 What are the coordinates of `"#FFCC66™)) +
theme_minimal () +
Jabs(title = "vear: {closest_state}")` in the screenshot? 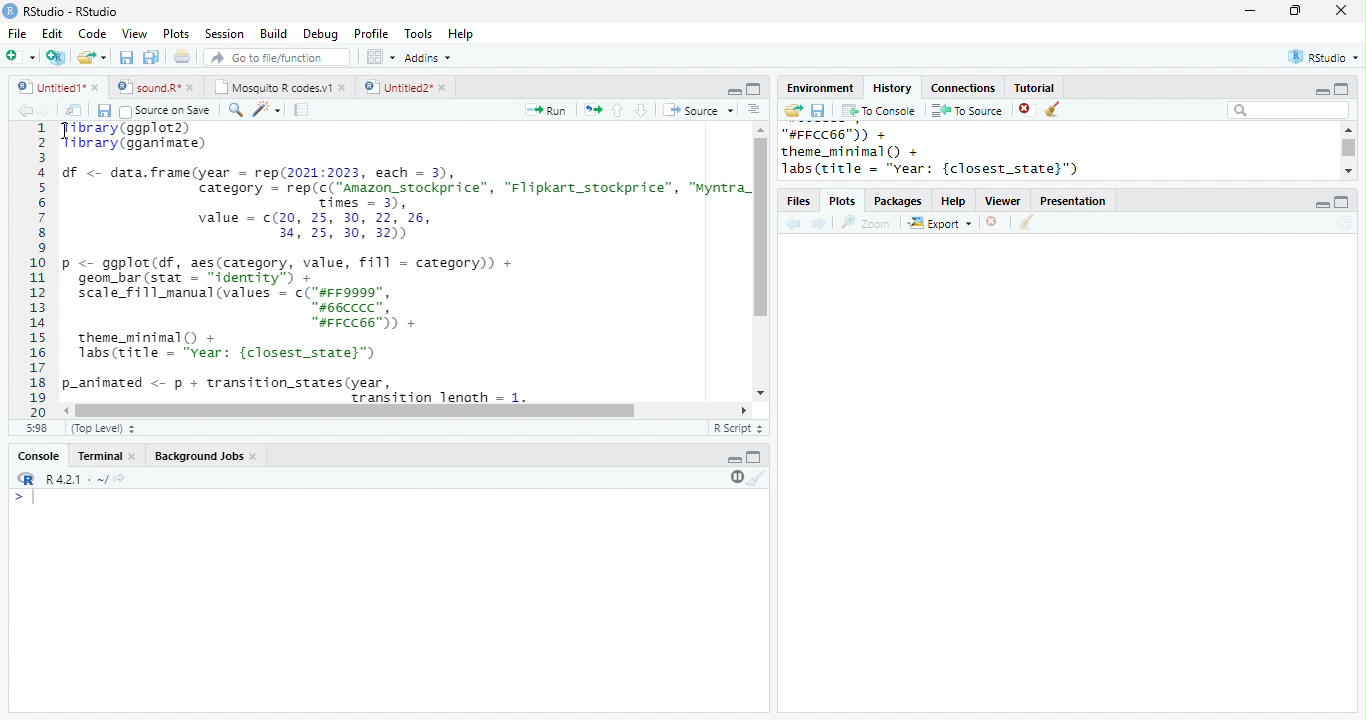 It's located at (948, 152).